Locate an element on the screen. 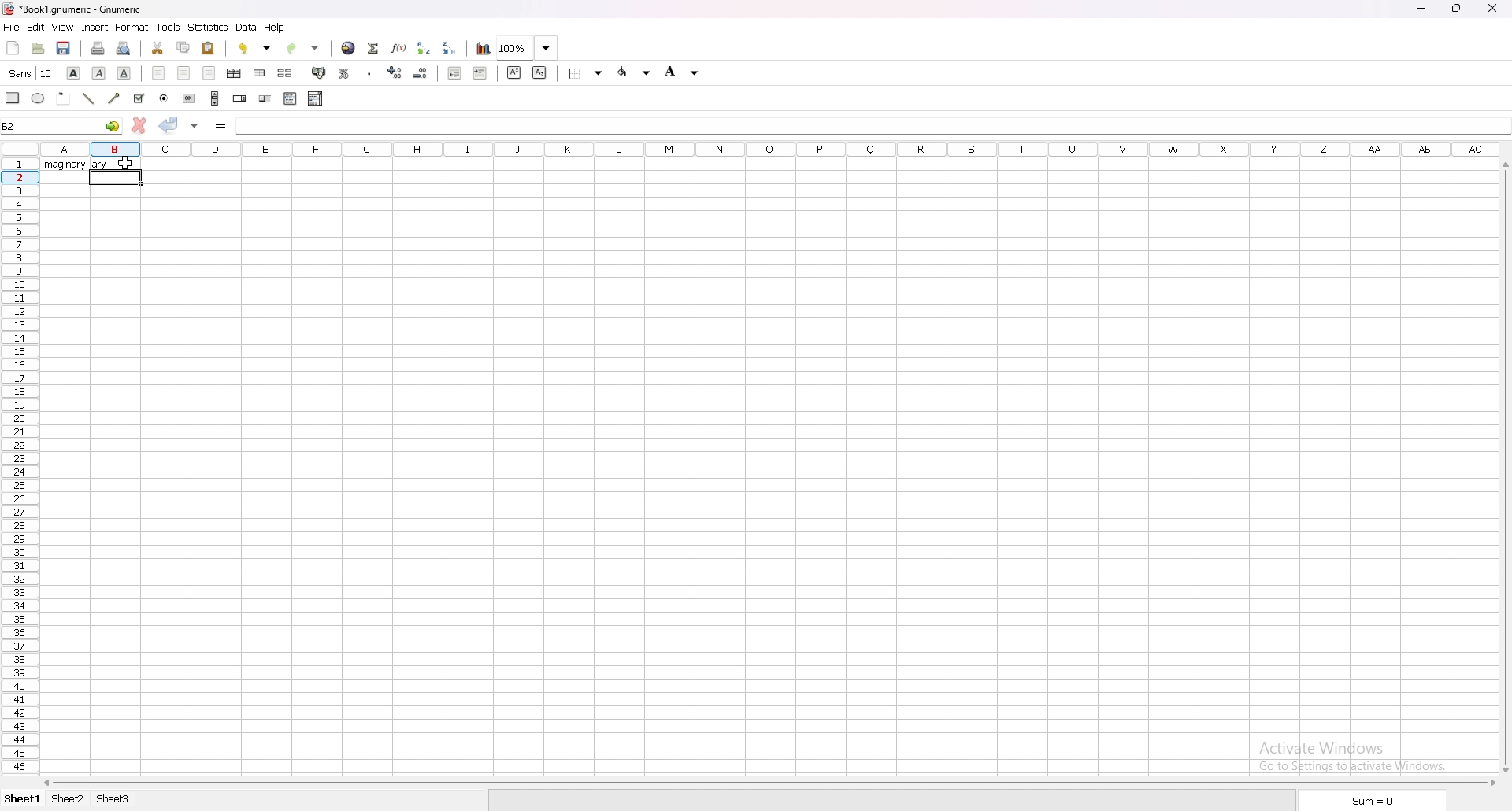 This screenshot has height=811, width=1512. resize is located at coordinates (1456, 9).